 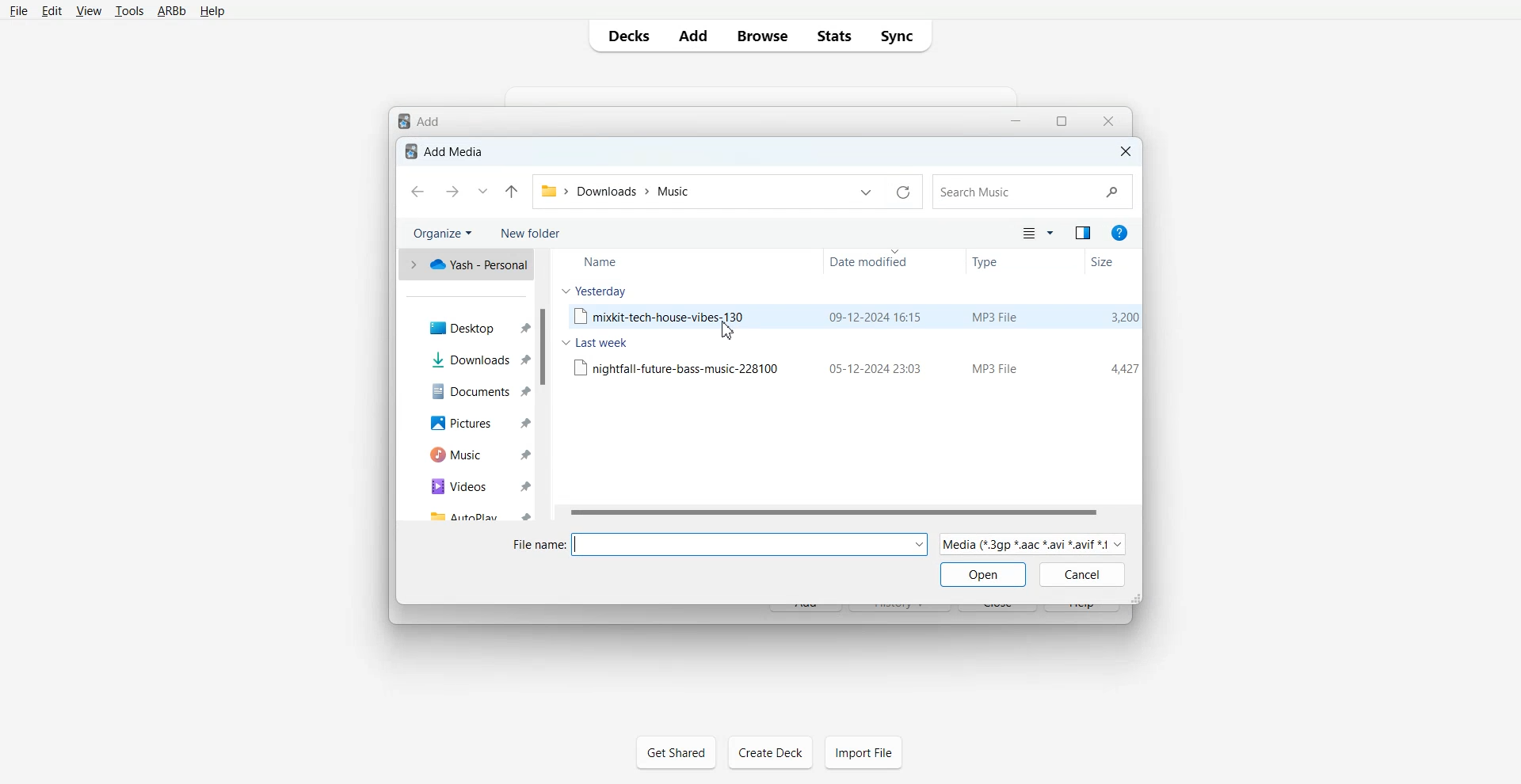 What do you see at coordinates (476, 486) in the screenshot?
I see `Videos` at bounding box center [476, 486].